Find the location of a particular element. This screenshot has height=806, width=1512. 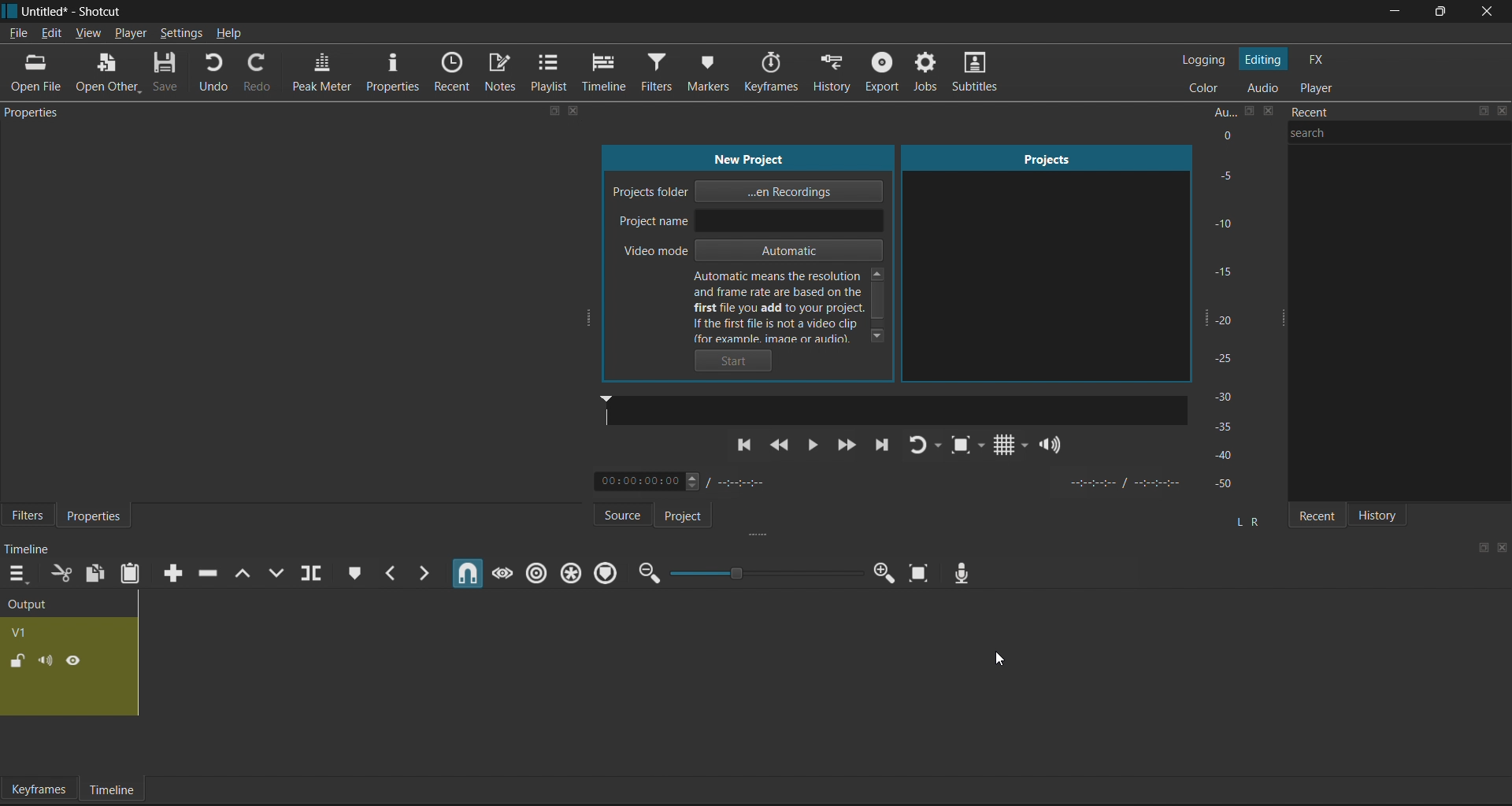

Zoom Out is located at coordinates (647, 575).